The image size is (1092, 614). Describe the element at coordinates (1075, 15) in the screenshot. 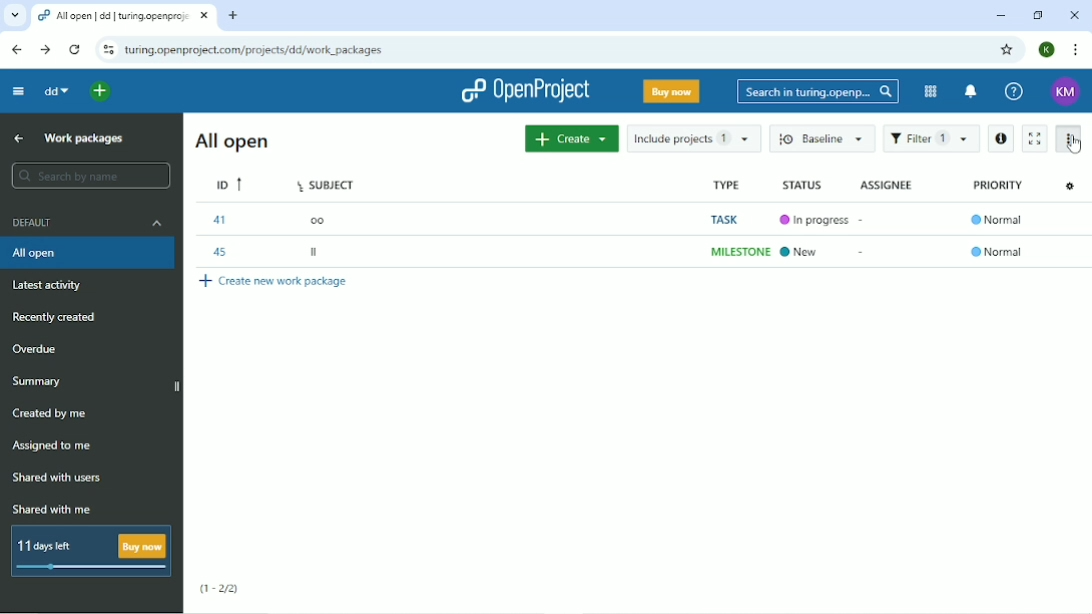

I see `Close` at that location.